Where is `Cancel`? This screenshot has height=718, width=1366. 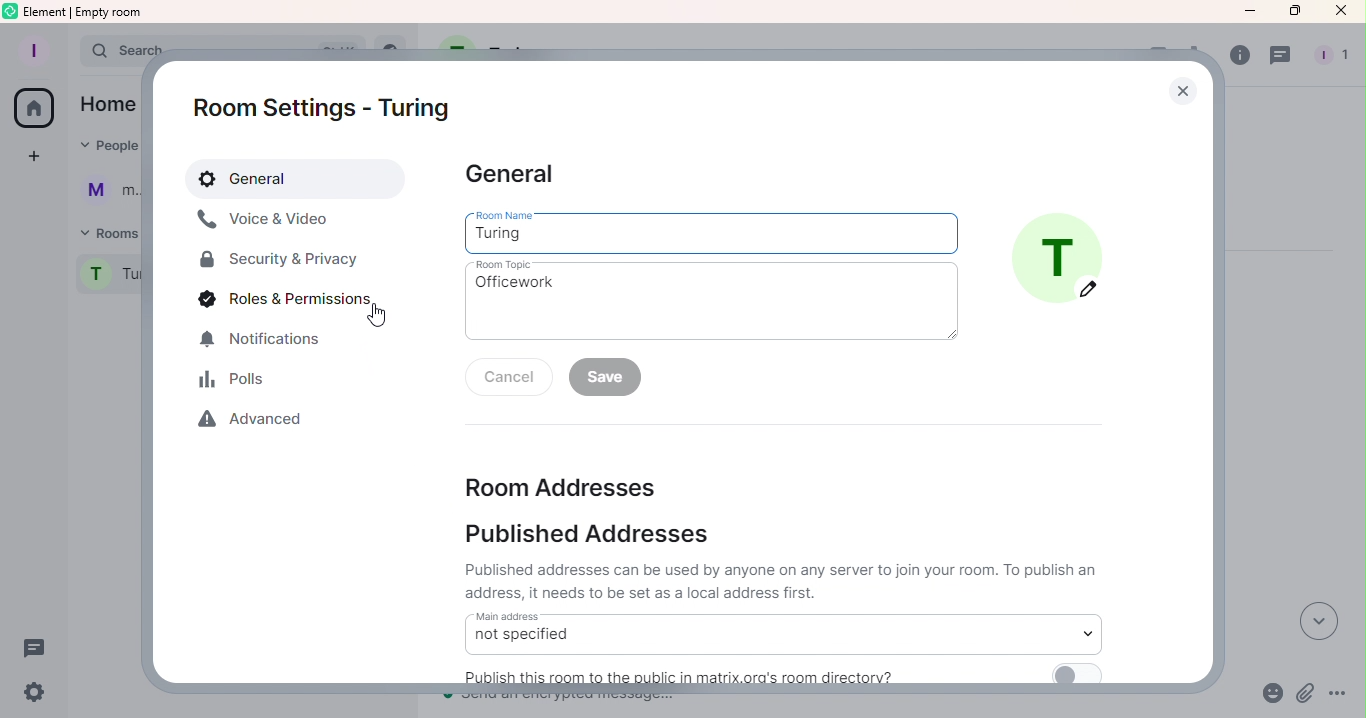 Cancel is located at coordinates (498, 382).